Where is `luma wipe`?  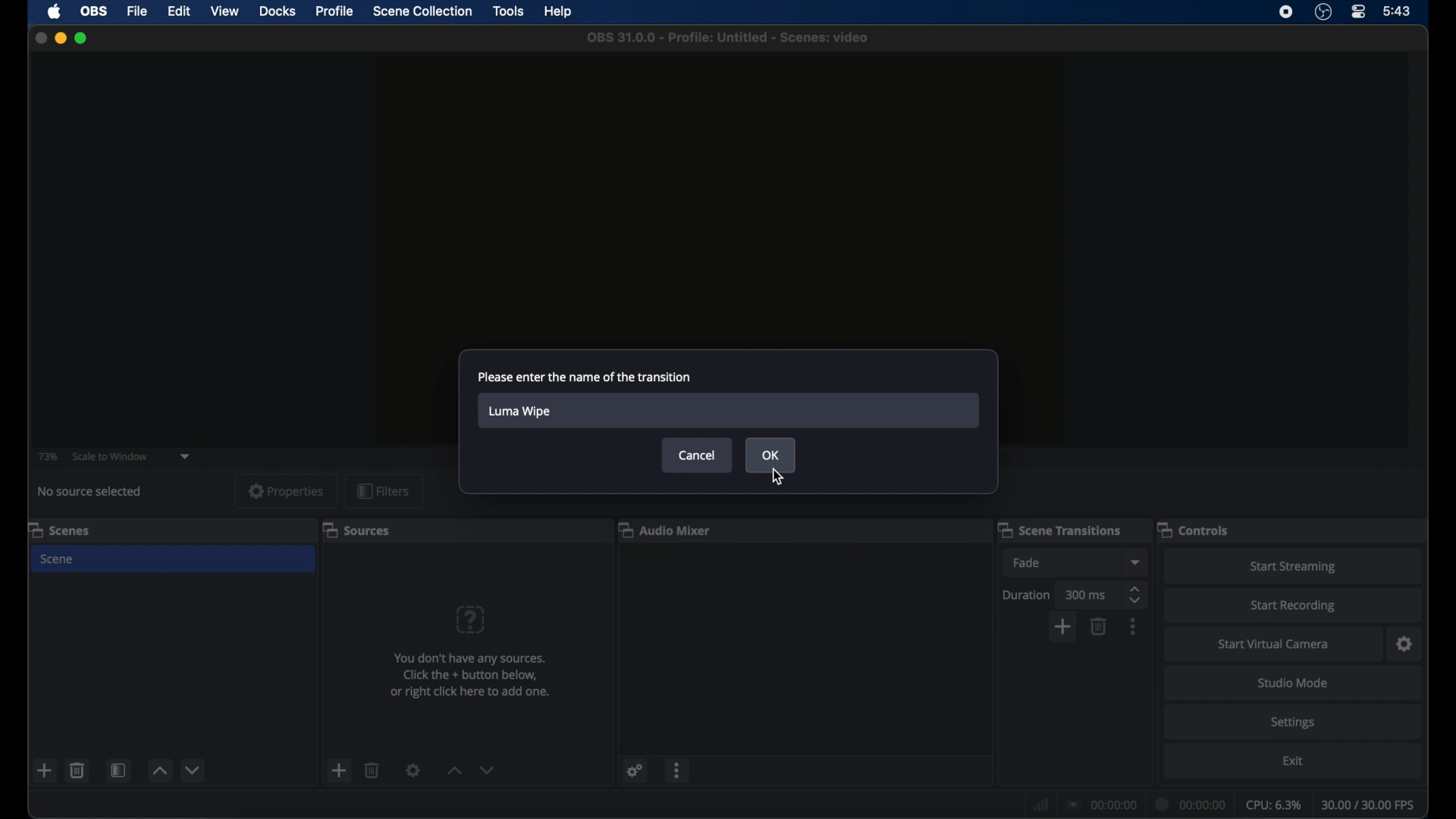 luma wipe is located at coordinates (520, 412).